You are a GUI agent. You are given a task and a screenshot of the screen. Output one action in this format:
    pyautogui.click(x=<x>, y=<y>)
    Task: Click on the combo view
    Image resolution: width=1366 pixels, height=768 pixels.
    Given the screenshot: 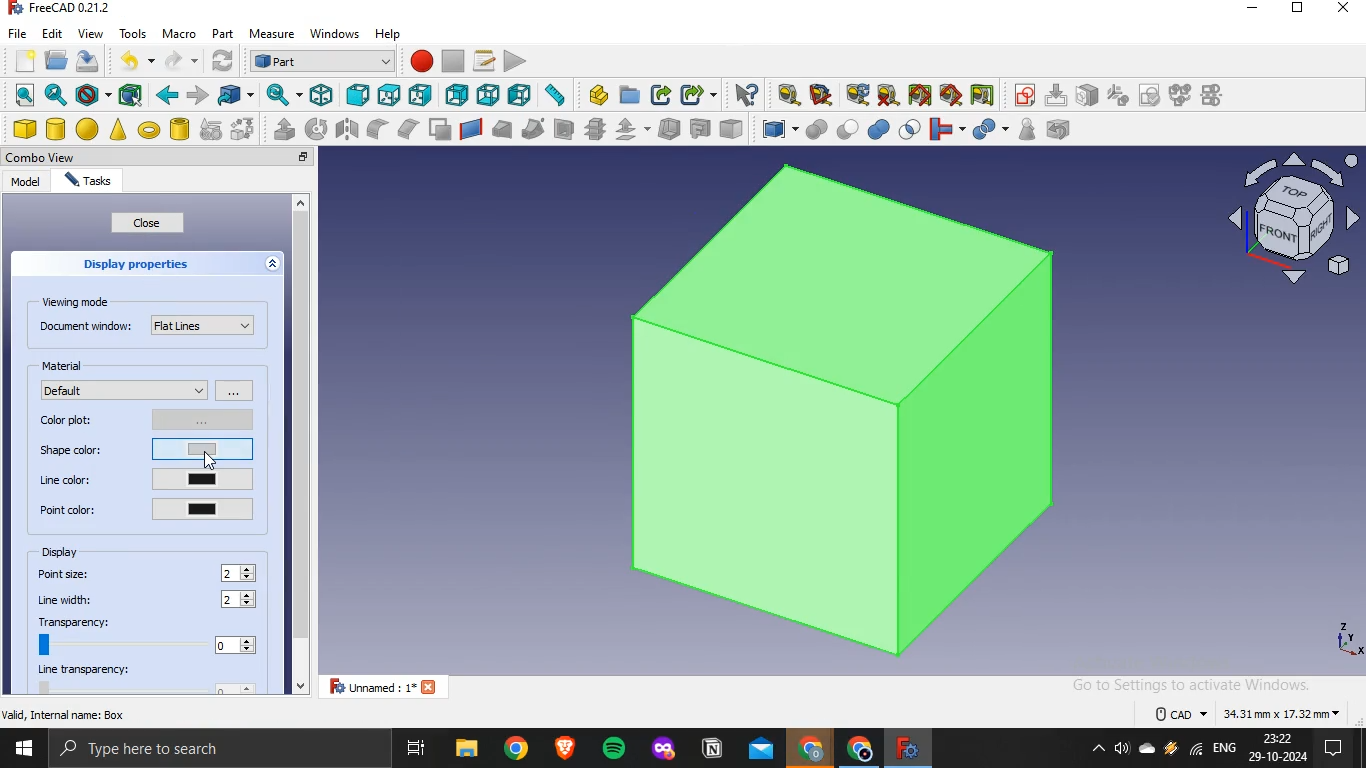 What is the action you would take?
    pyautogui.click(x=45, y=157)
    